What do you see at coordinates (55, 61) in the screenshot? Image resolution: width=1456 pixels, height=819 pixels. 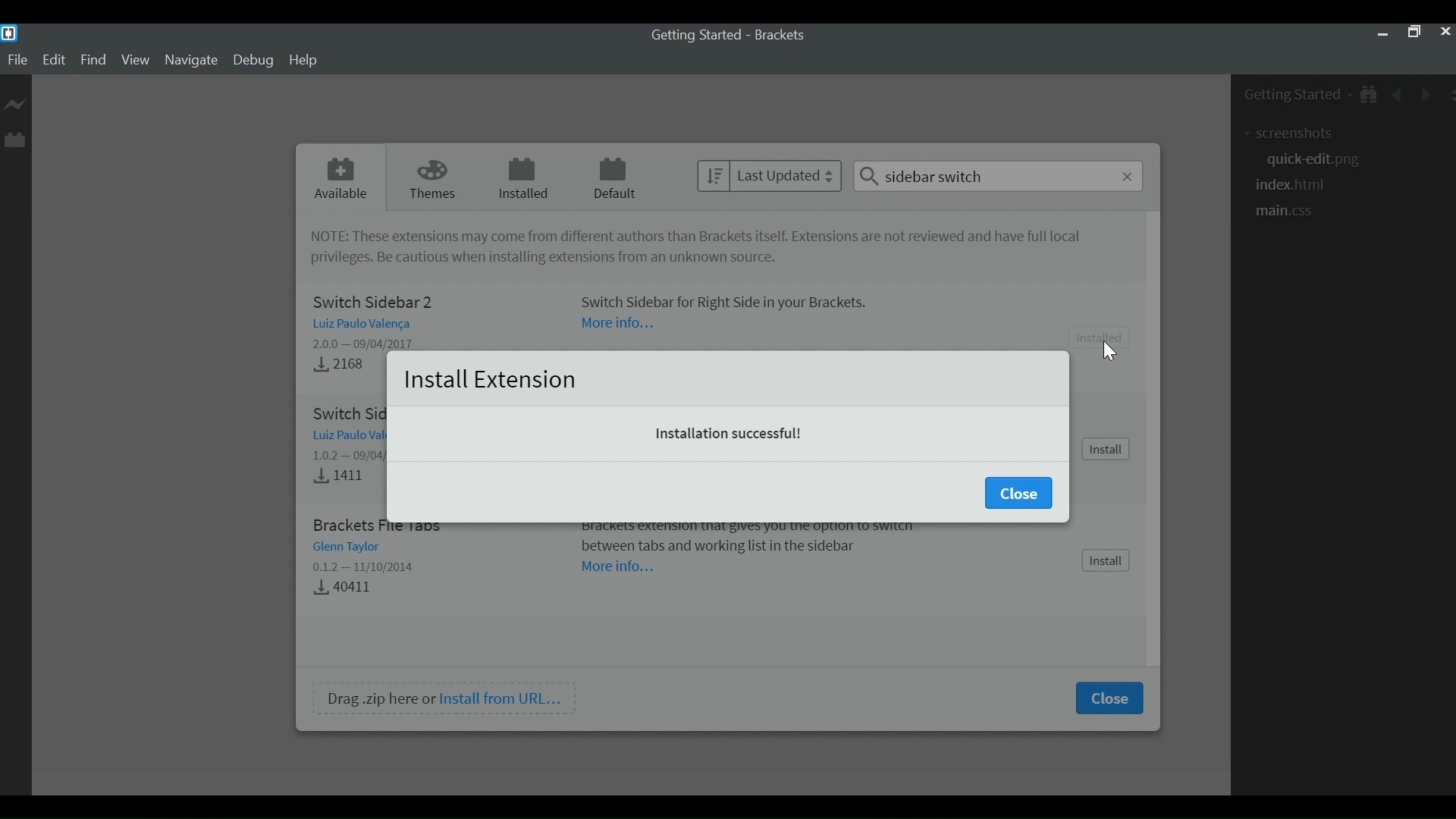 I see `Edit` at bounding box center [55, 61].